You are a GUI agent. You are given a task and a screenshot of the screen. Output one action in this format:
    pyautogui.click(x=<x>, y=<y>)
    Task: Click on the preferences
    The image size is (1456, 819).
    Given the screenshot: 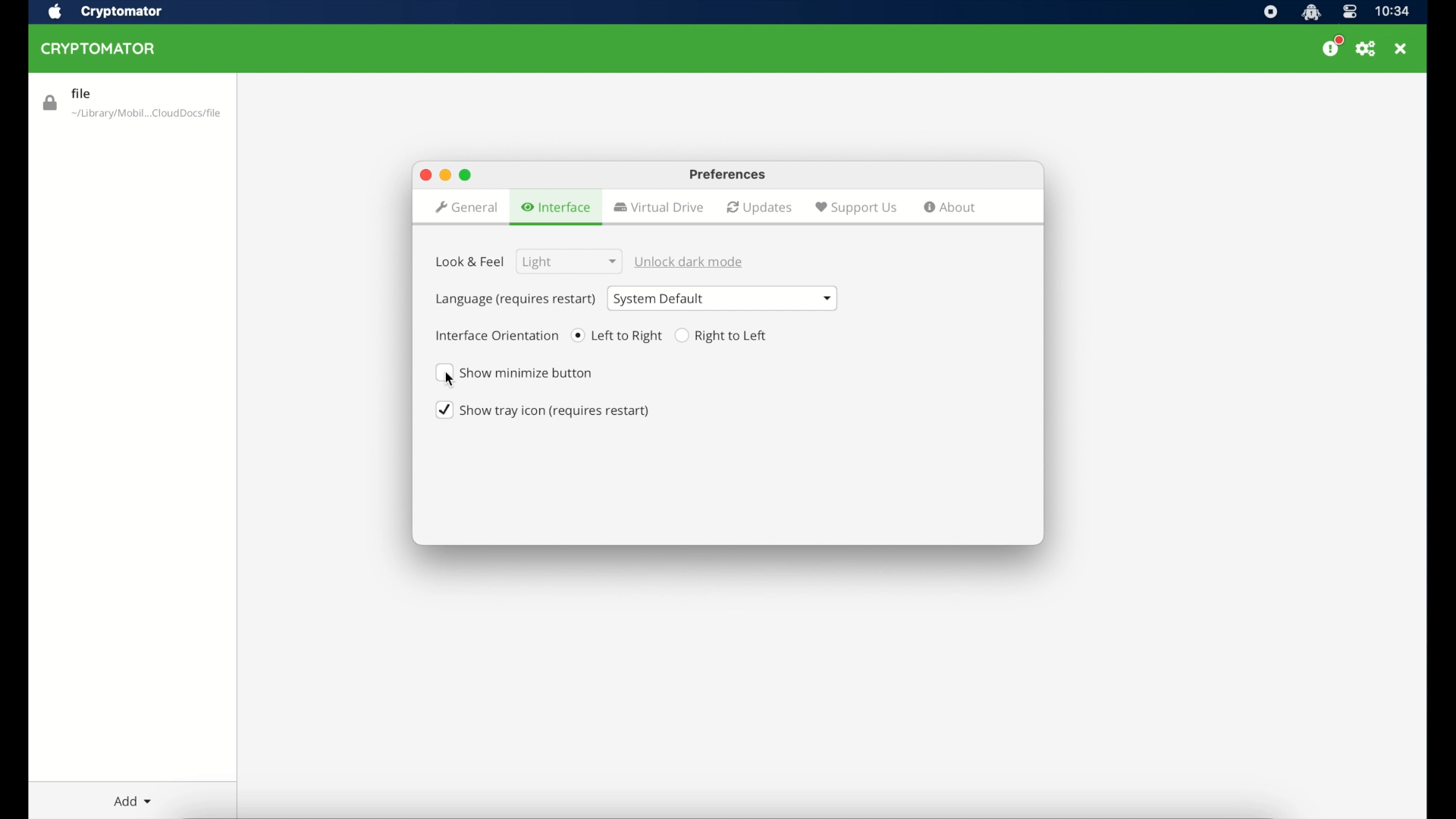 What is the action you would take?
    pyautogui.click(x=1366, y=49)
    